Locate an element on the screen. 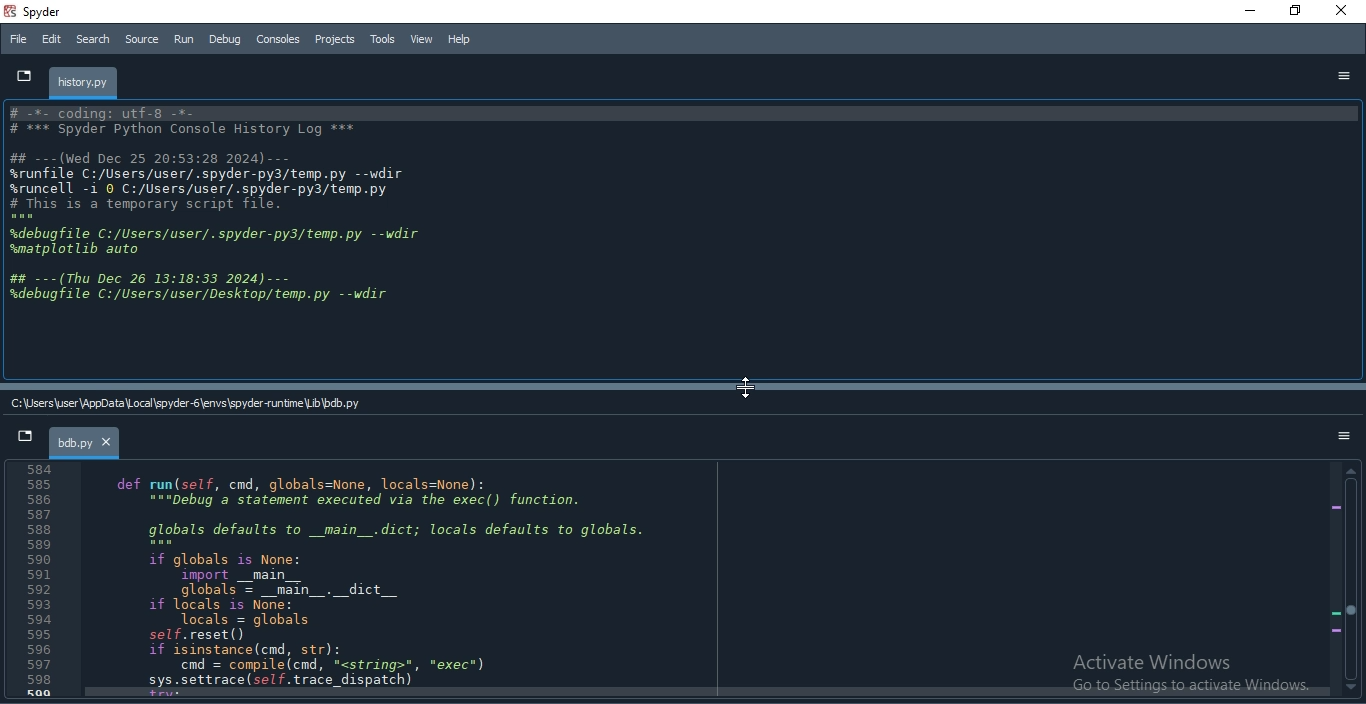  serial numbers is located at coordinates (41, 582).